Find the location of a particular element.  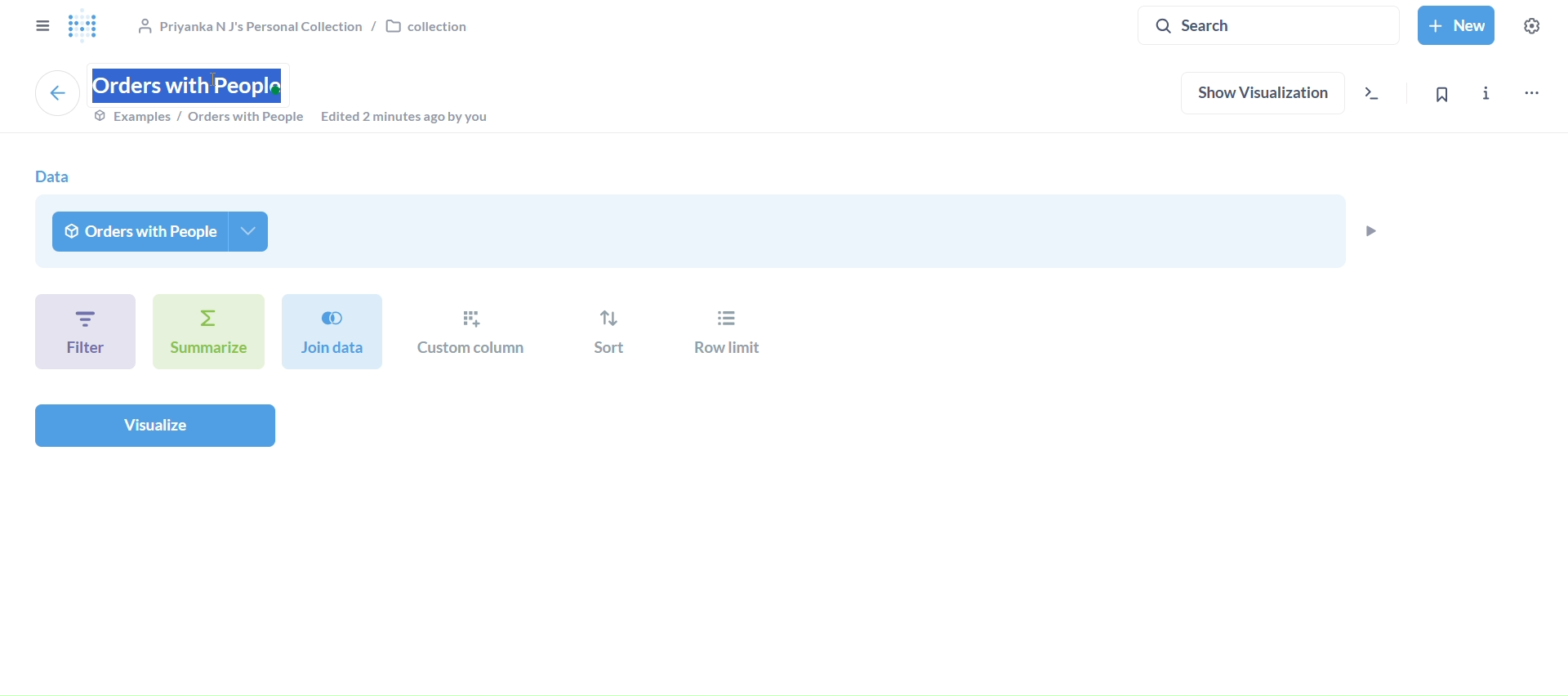

visualize is located at coordinates (154, 425).